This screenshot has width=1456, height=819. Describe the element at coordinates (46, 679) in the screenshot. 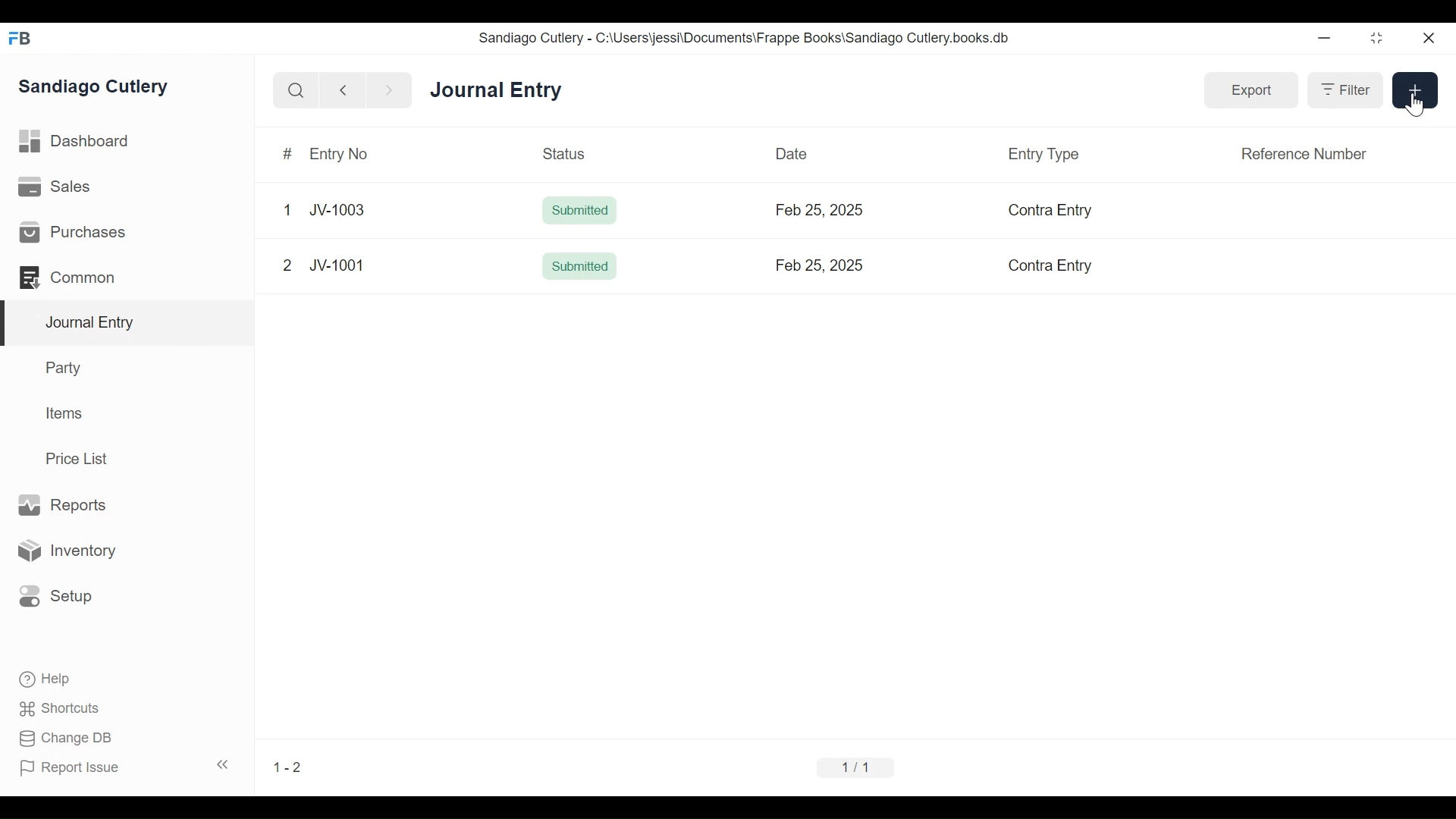

I see `Help` at that location.